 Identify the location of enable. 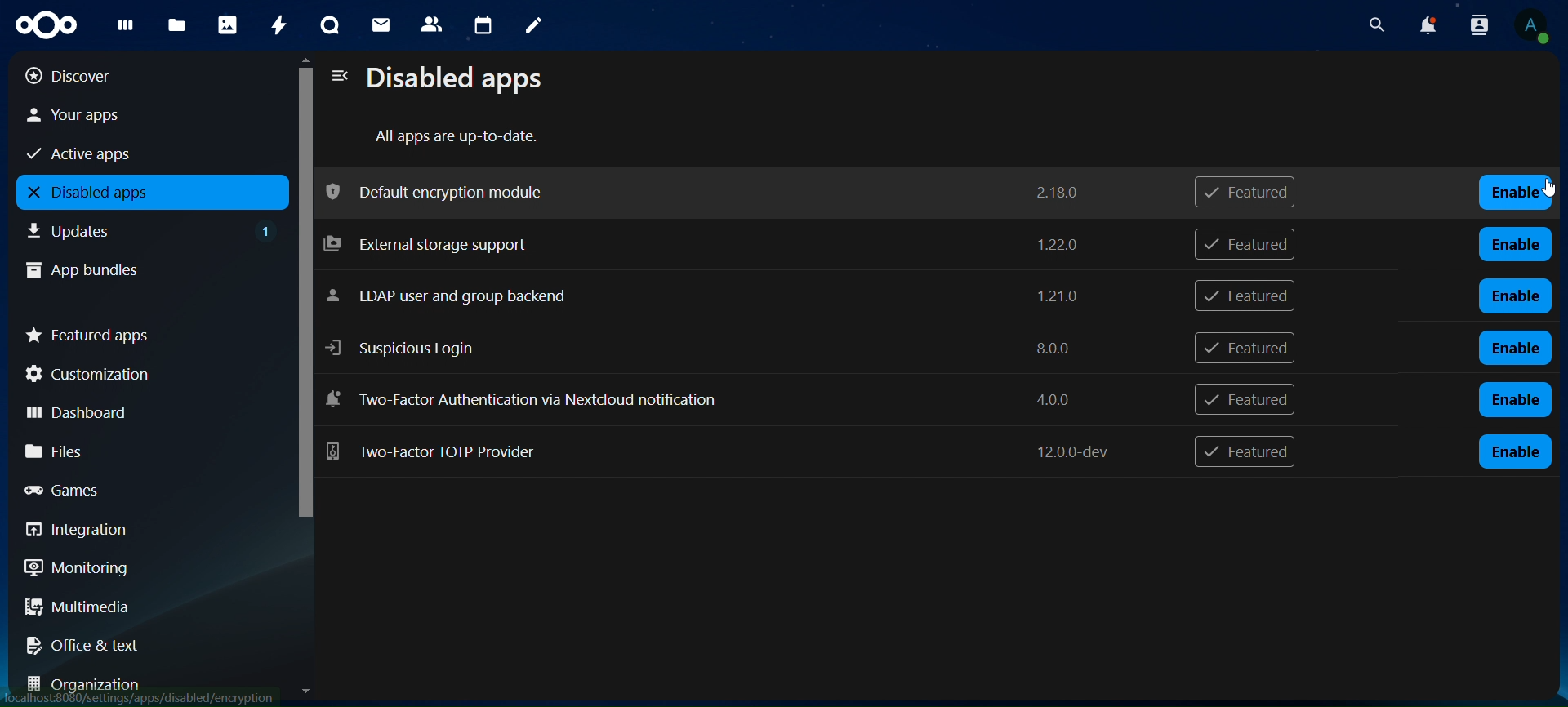
(1517, 242).